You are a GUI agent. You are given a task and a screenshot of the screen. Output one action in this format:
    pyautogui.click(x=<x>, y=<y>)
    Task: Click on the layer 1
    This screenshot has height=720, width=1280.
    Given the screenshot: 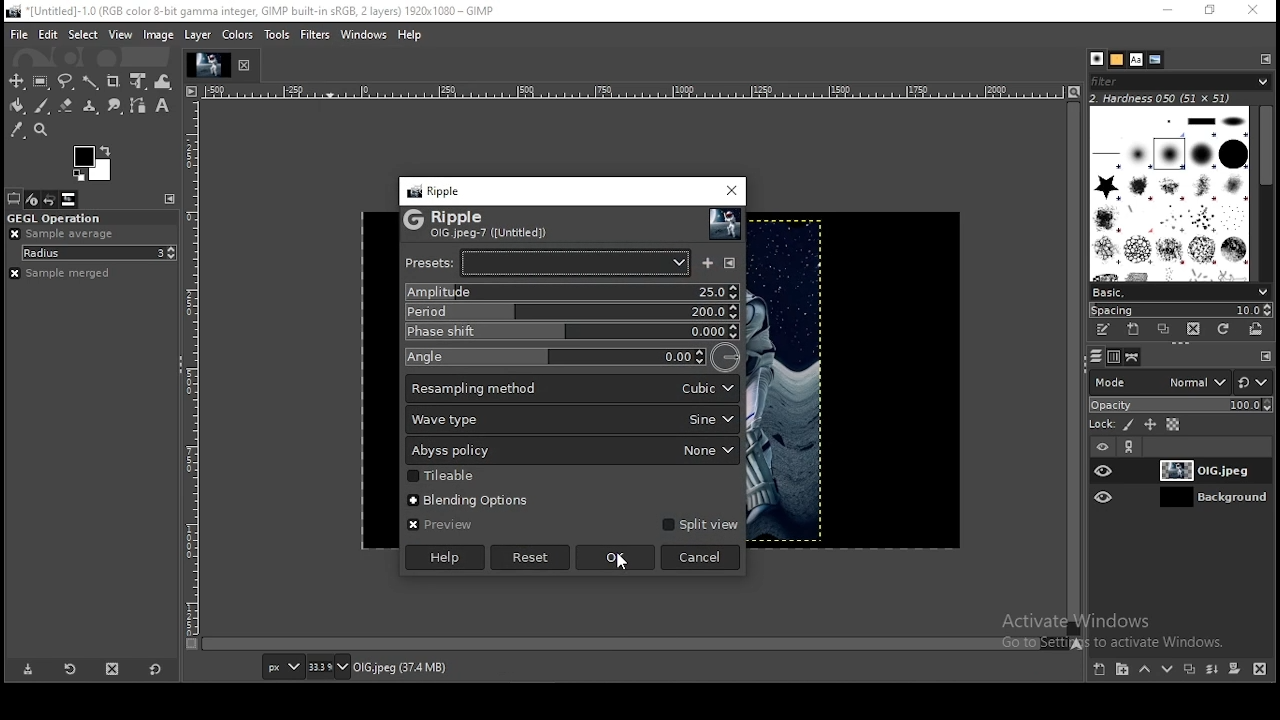 What is the action you would take?
    pyautogui.click(x=1196, y=471)
    